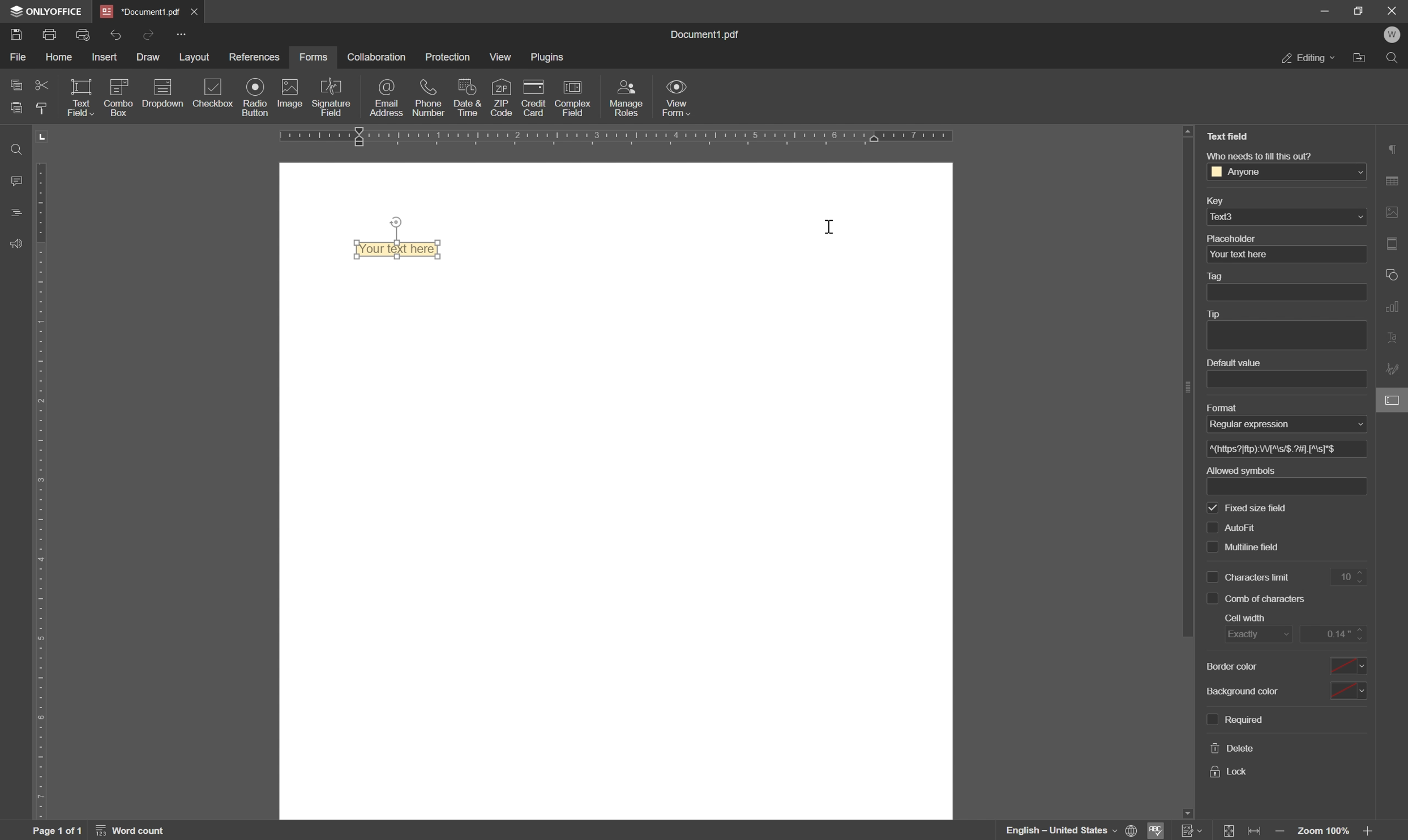 Image resolution: width=1408 pixels, height=840 pixels. I want to click on characters limit, so click(1260, 577).